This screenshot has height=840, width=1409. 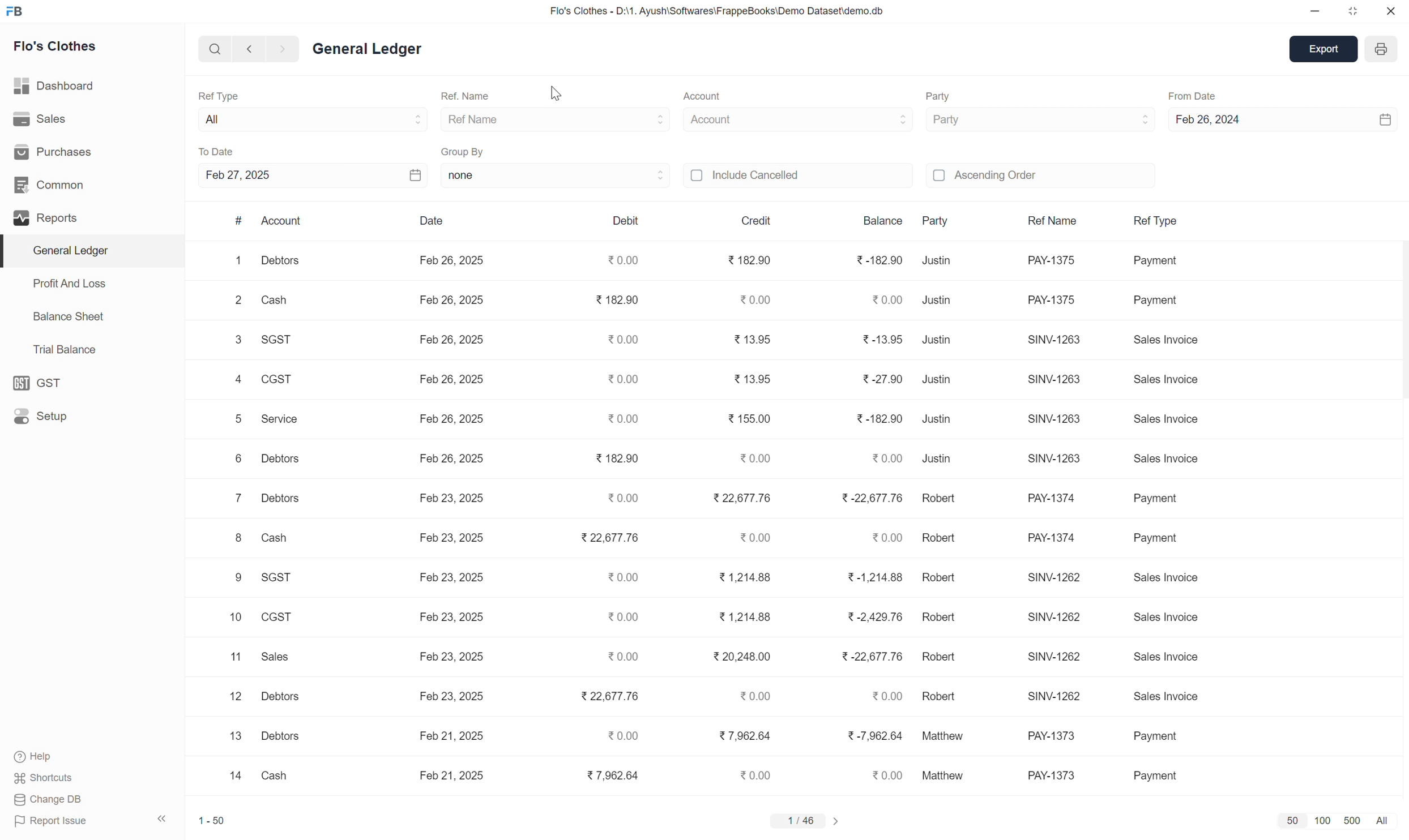 I want to click on payment, so click(x=1153, y=260).